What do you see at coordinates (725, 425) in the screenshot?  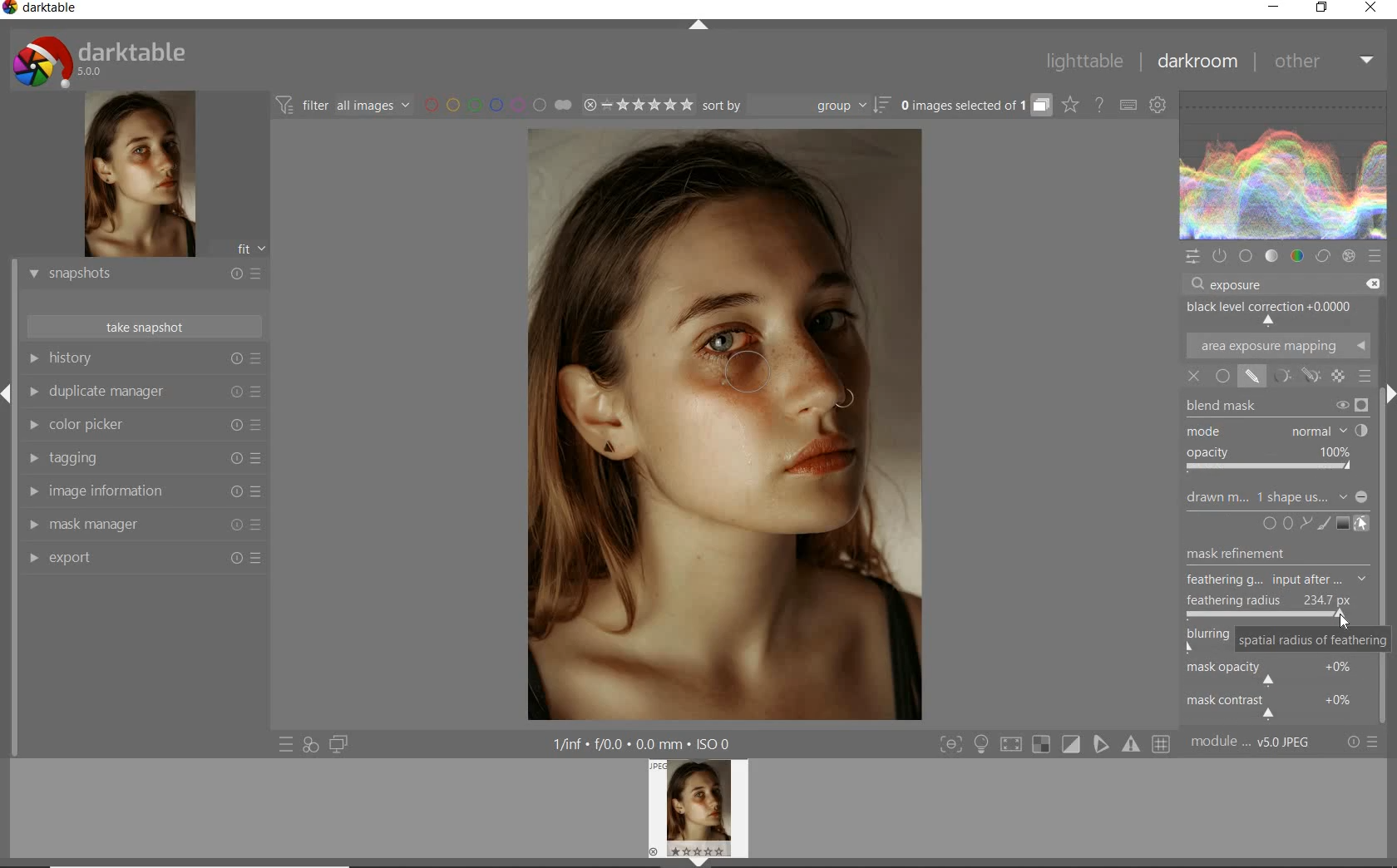 I see `feathered mask for smoother transitions ADDED` at bounding box center [725, 425].